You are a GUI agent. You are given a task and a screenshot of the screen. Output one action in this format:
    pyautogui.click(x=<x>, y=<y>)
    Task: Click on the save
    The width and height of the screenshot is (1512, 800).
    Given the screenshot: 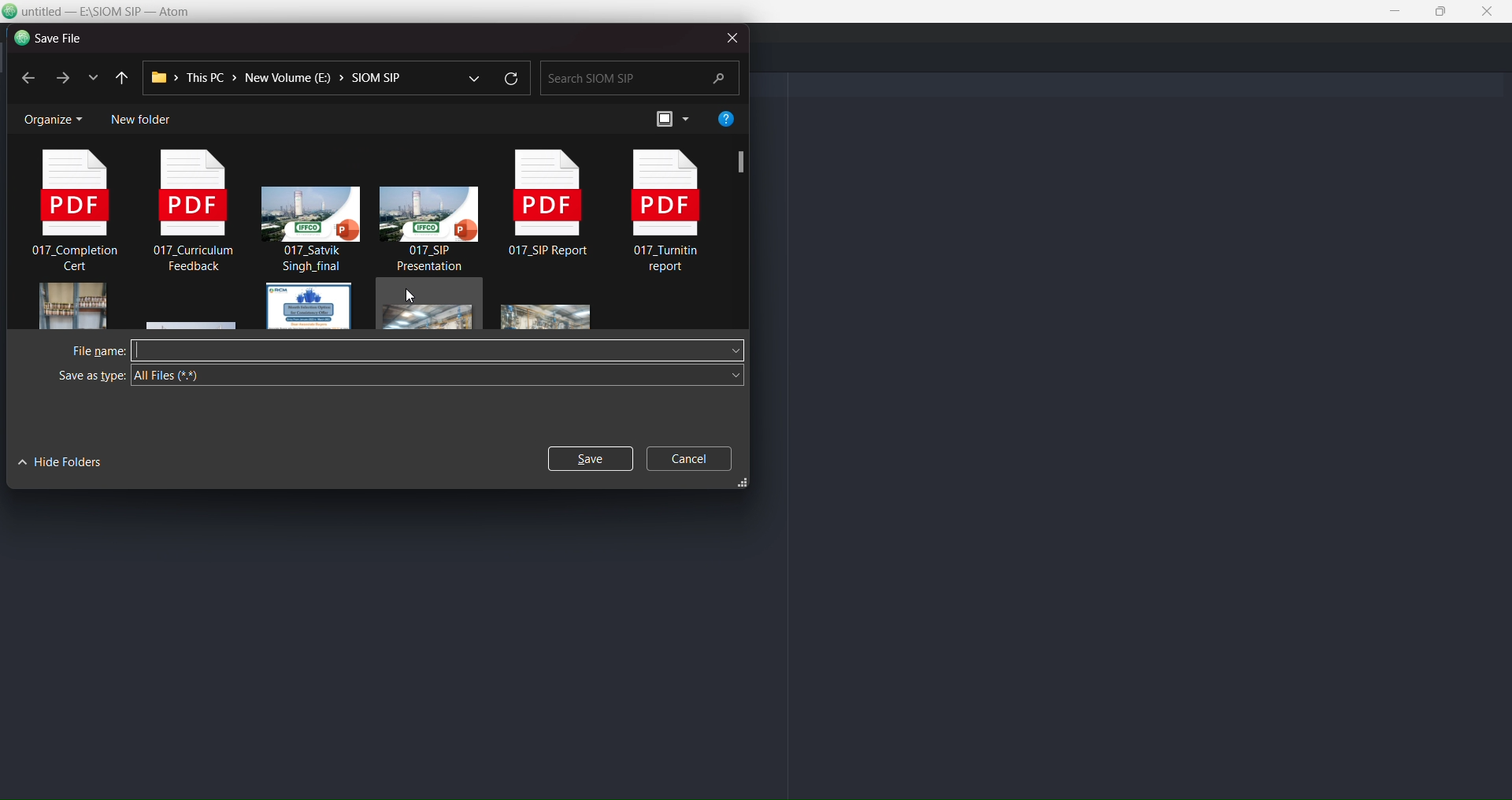 What is the action you would take?
    pyautogui.click(x=587, y=457)
    